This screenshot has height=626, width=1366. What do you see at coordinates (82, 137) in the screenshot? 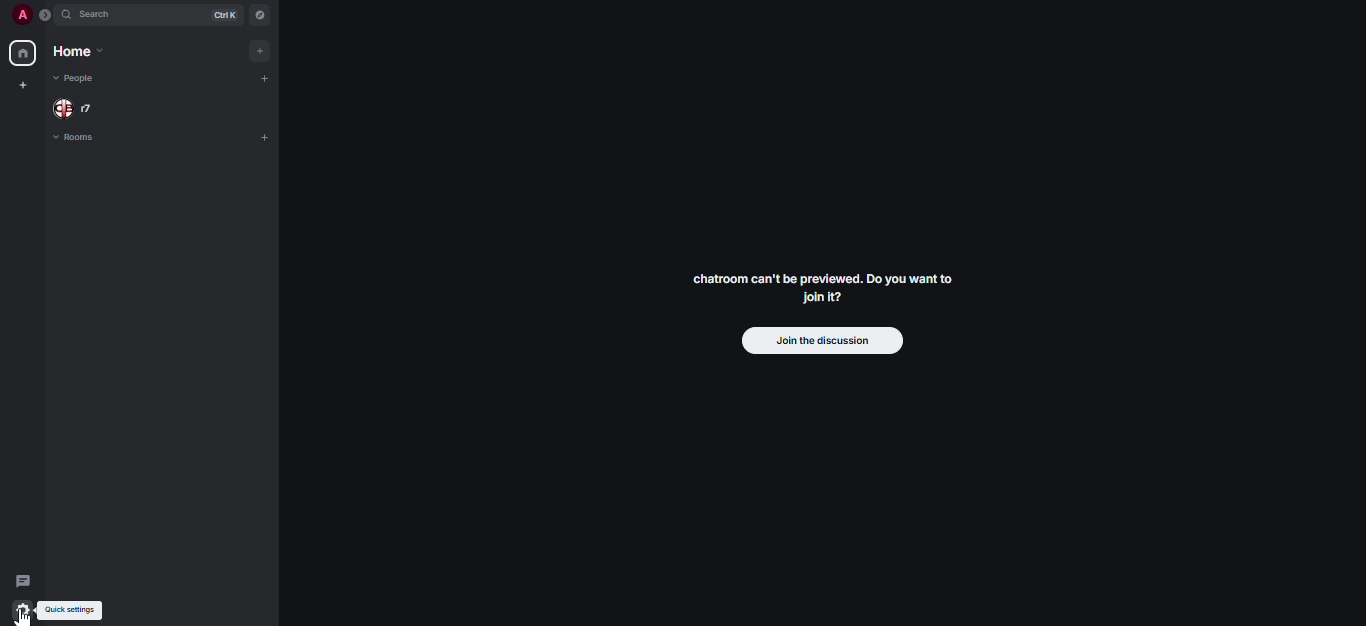
I see `rooms` at bounding box center [82, 137].